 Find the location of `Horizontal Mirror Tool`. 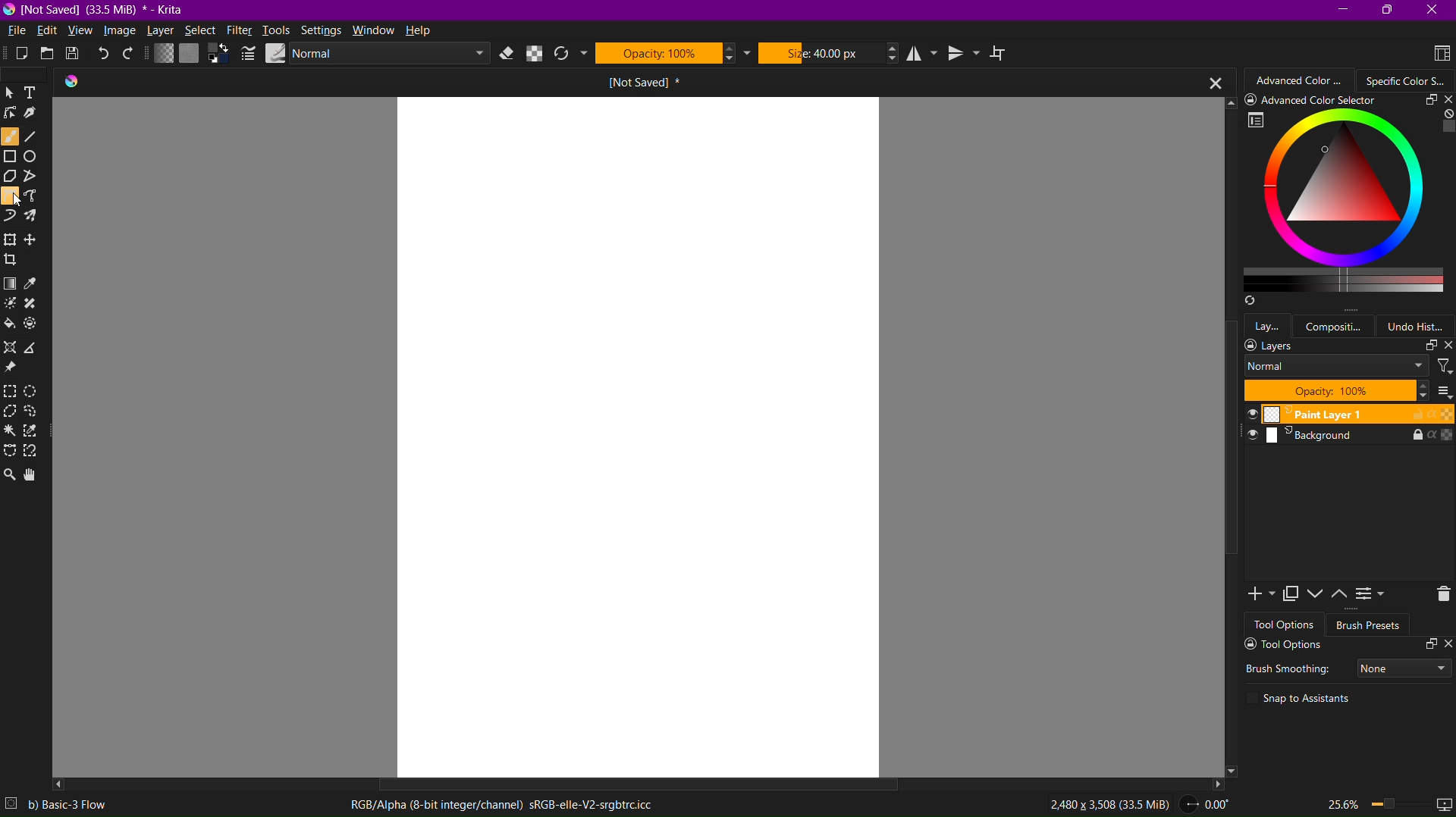

Horizontal Mirror Tool is located at coordinates (924, 53).